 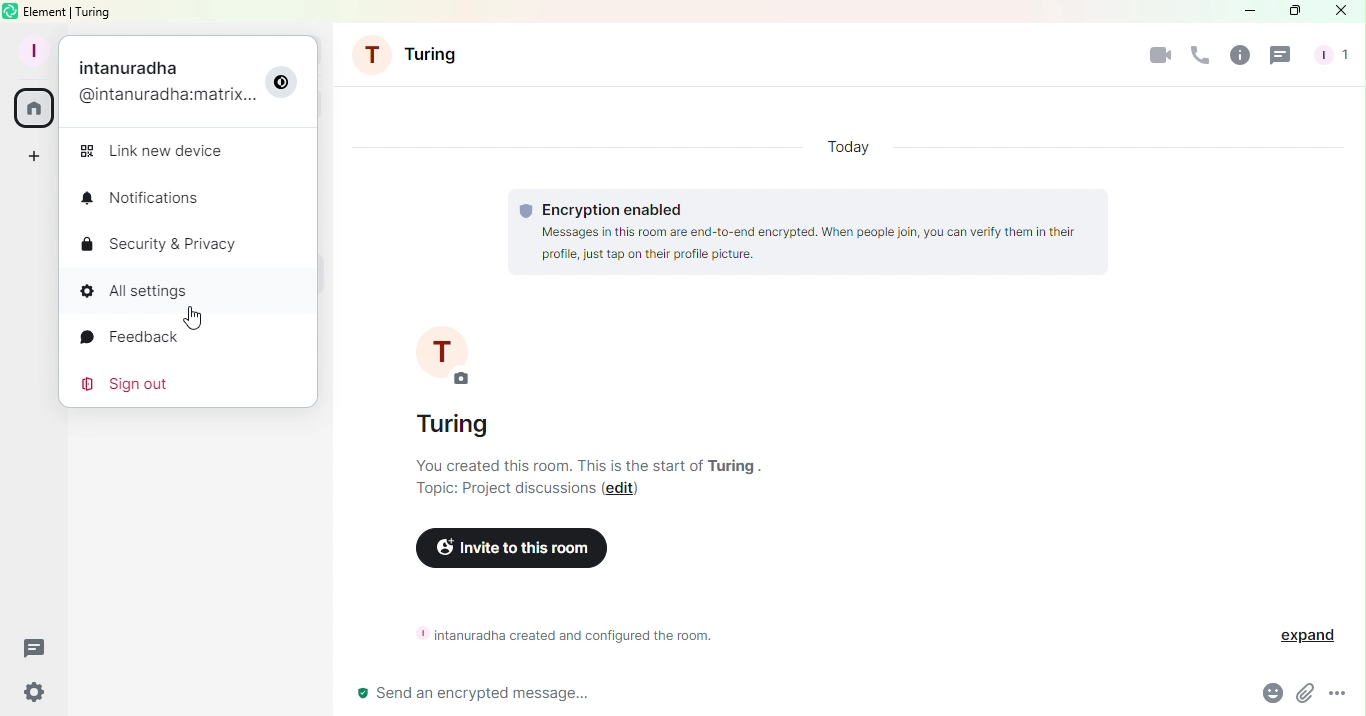 What do you see at coordinates (805, 232) in the screenshot?
I see `Encryption information` at bounding box center [805, 232].